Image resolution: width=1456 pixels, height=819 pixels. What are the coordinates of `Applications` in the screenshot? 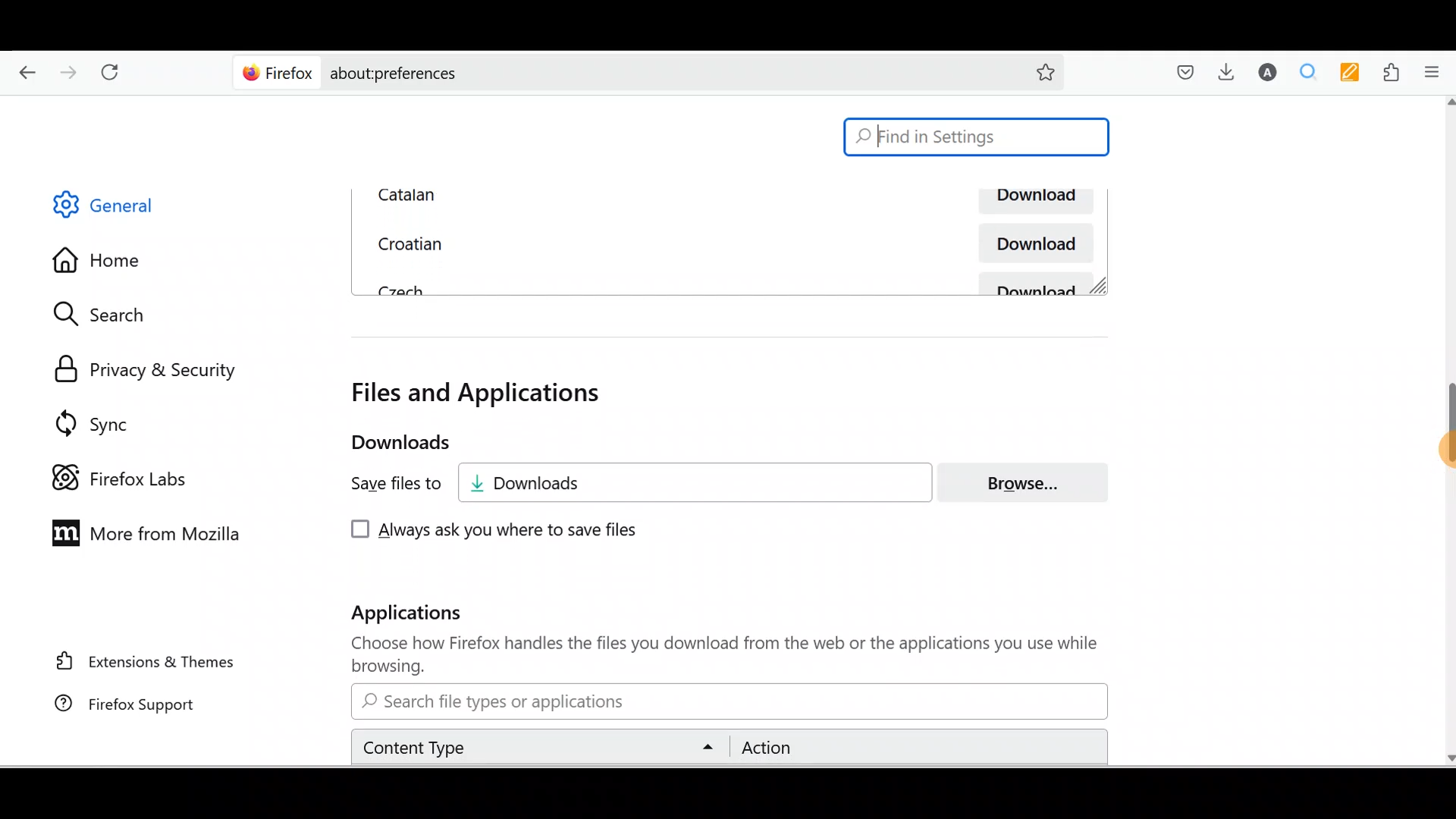 It's located at (422, 616).